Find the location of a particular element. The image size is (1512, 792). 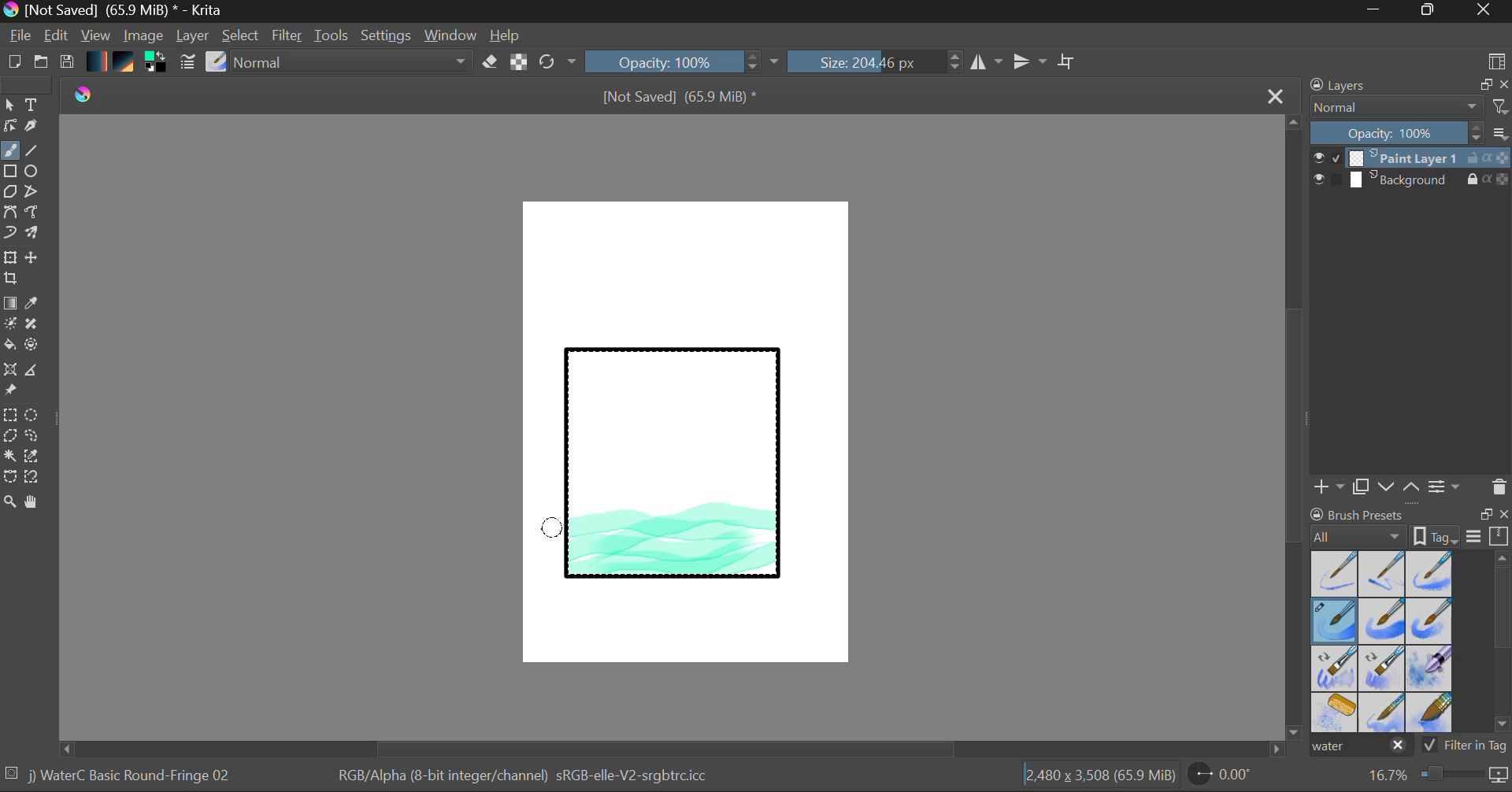

Choose Workspace is located at coordinates (1496, 60).